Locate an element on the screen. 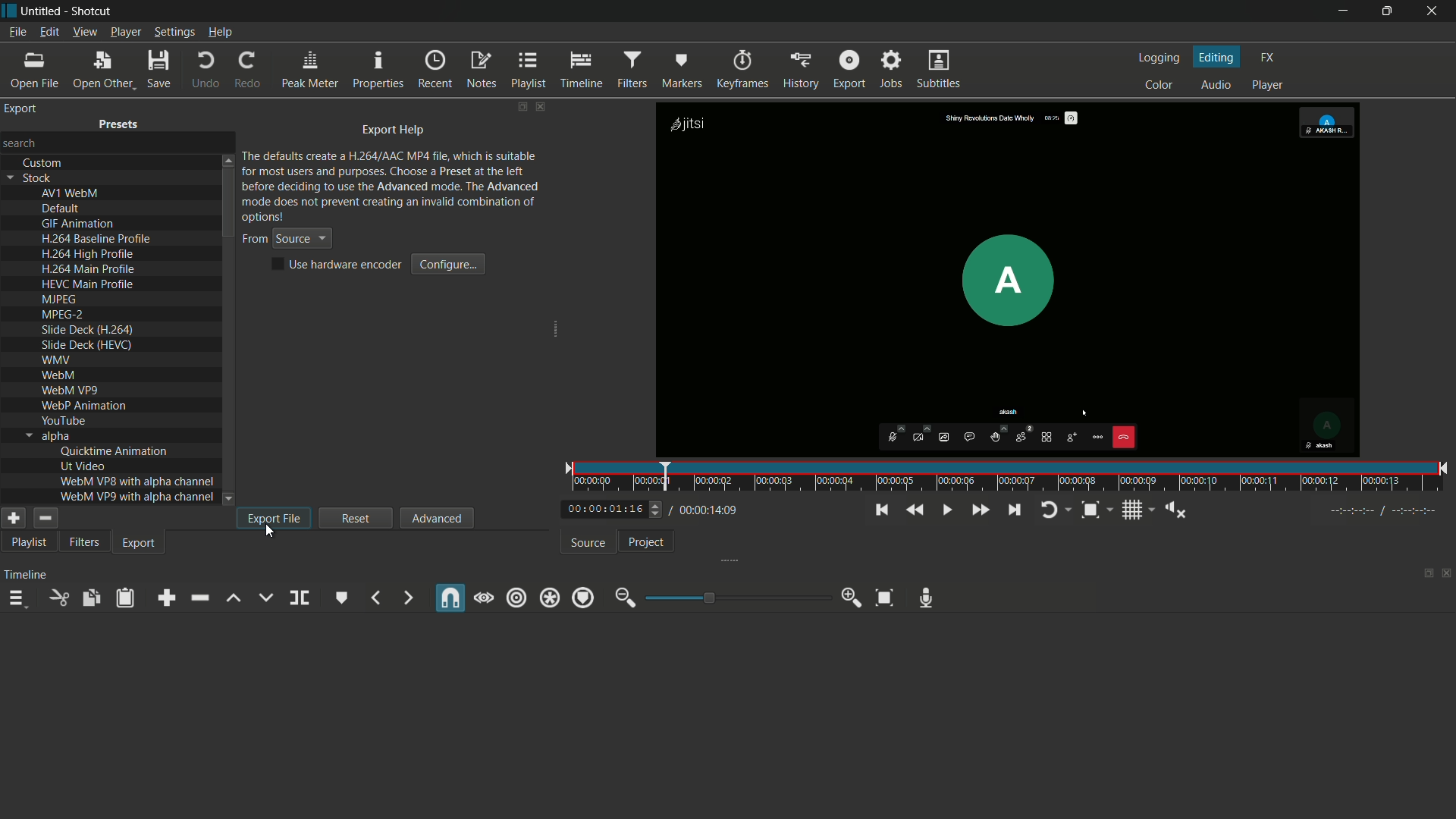 The width and height of the screenshot is (1456, 819). text is located at coordinates (87, 284).